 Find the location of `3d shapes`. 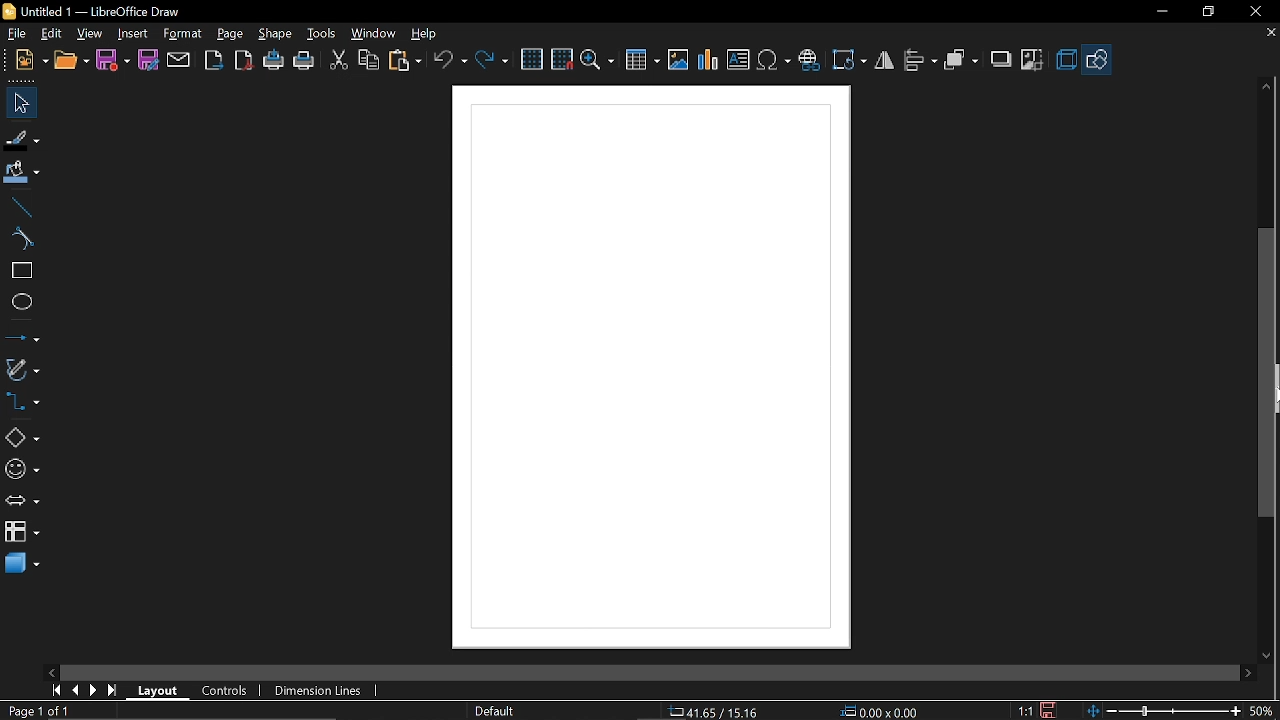

3d shapes is located at coordinates (22, 566).